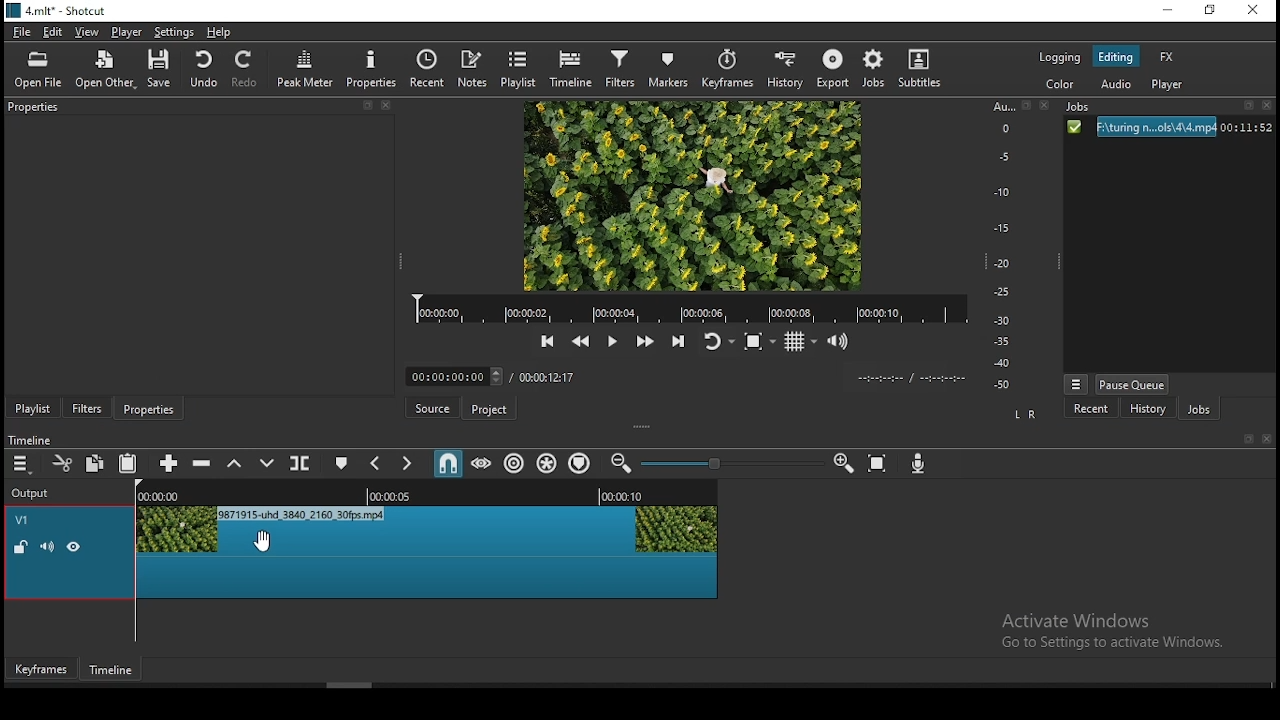 The height and width of the screenshot is (720, 1280). Describe the element at coordinates (1023, 414) in the screenshot. I see `Left Right` at that location.